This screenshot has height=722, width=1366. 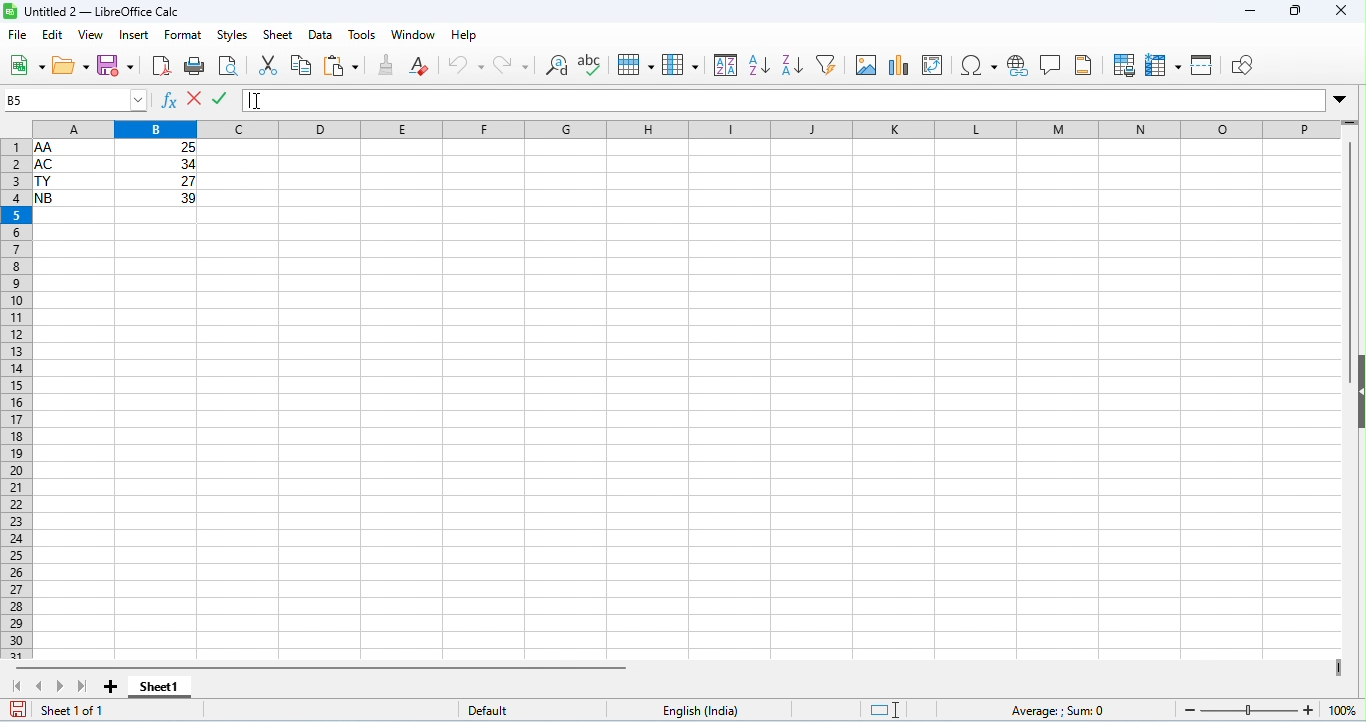 I want to click on column headings, so click(x=680, y=127).